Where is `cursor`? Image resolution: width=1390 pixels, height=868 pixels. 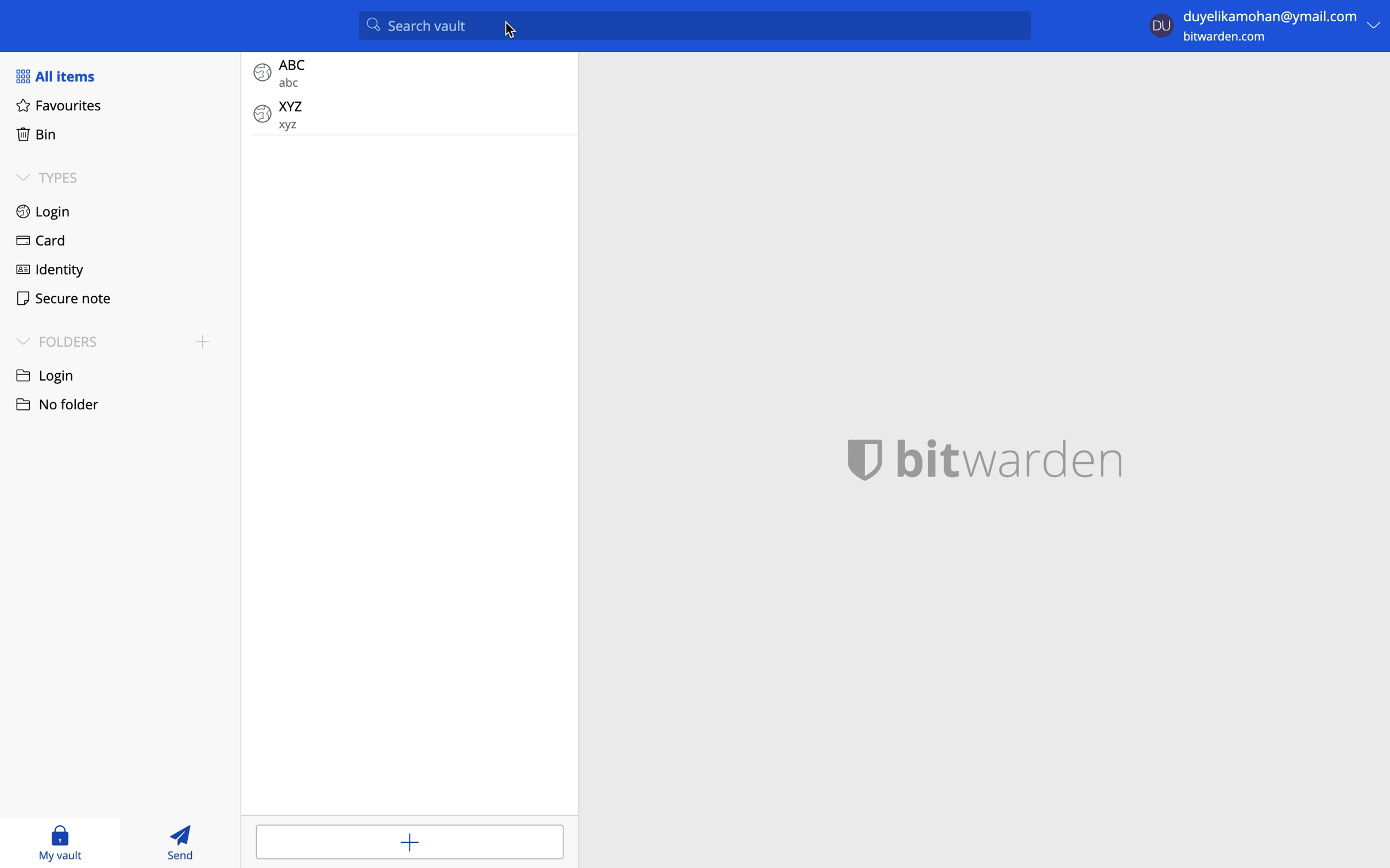 cursor is located at coordinates (511, 30).